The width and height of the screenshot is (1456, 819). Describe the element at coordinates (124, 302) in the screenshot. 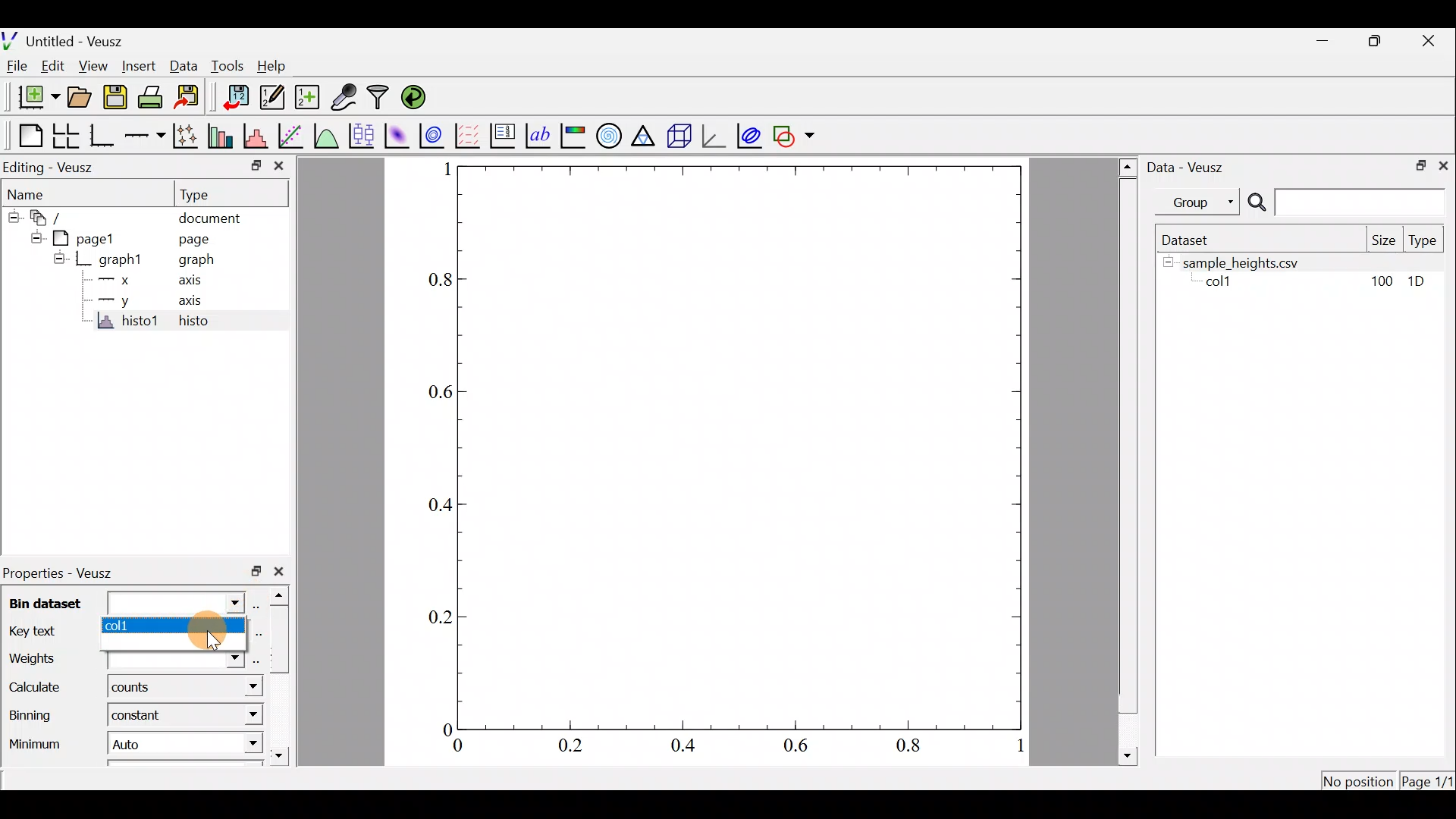

I see `y` at that location.